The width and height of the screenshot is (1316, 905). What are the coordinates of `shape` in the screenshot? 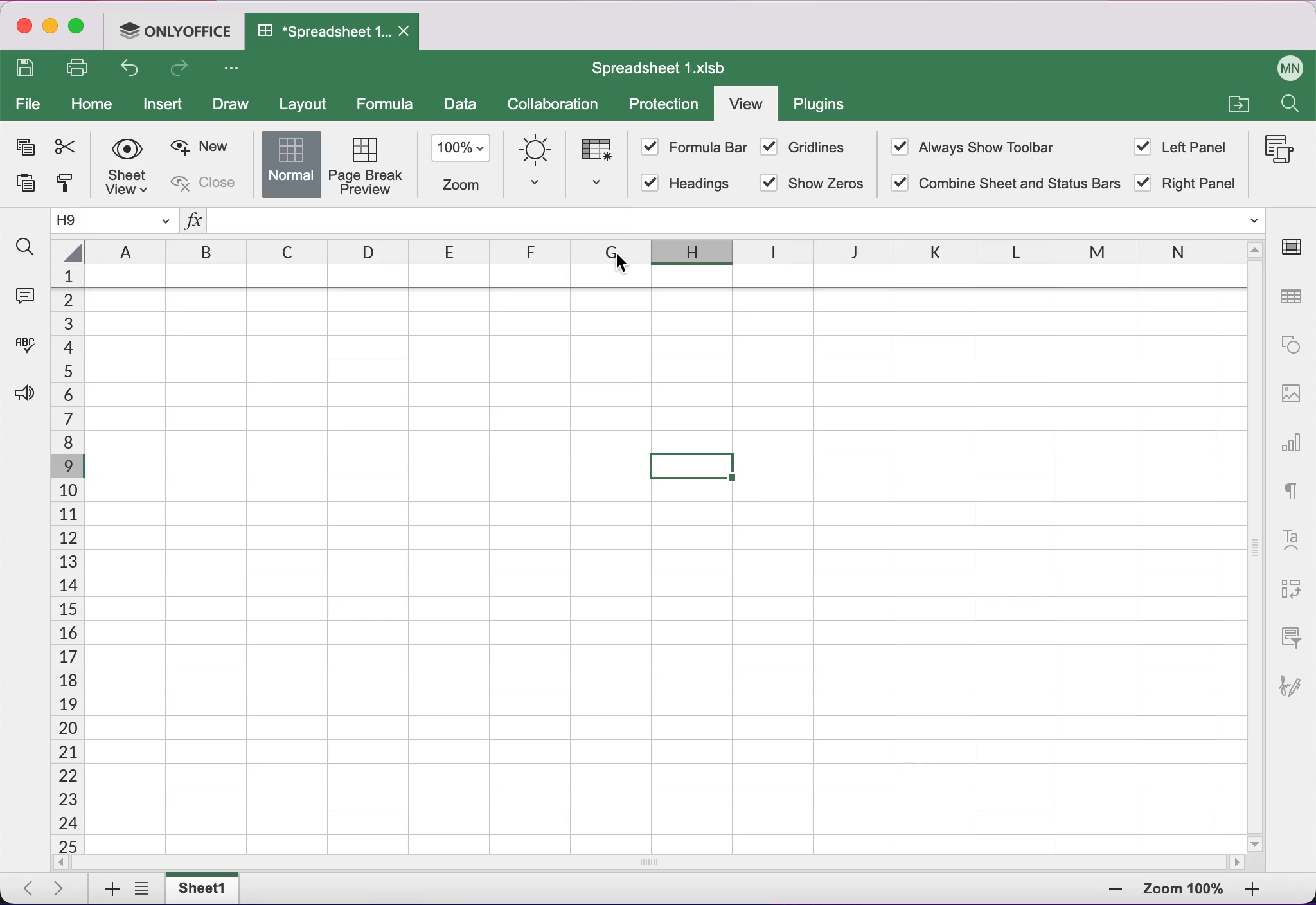 It's located at (1290, 349).